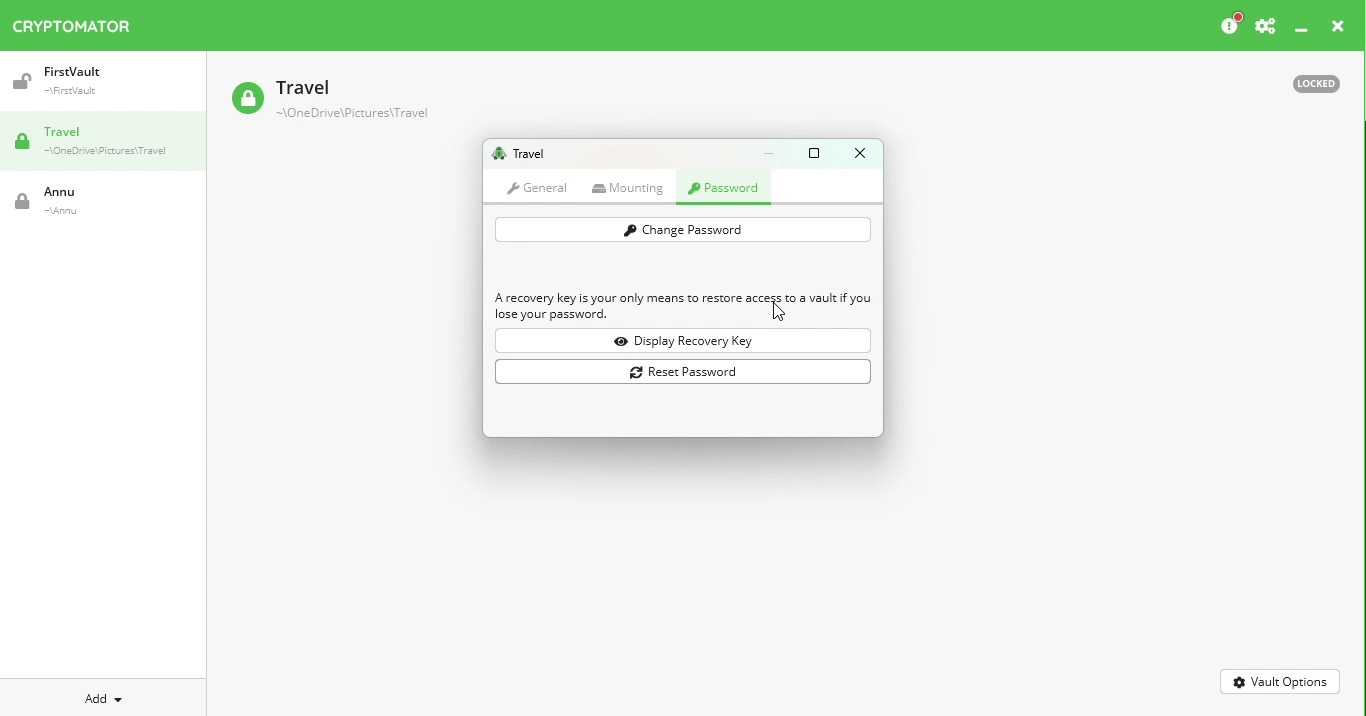 Image resolution: width=1366 pixels, height=716 pixels. Describe the element at coordinates (859, 153) in the screenshot. I see `Close` at that location.